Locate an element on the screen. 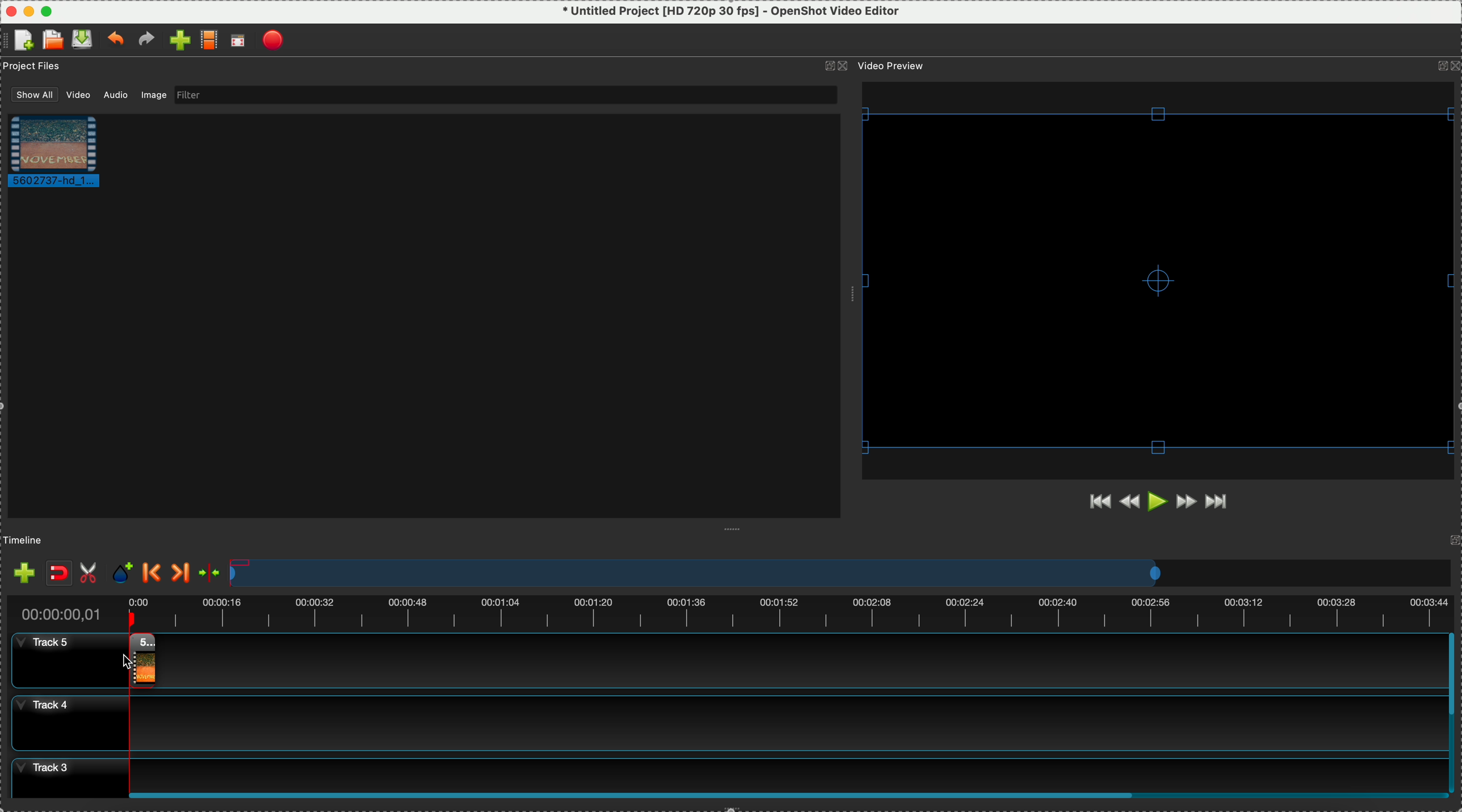  add mark is located at coordinates (125, 573).